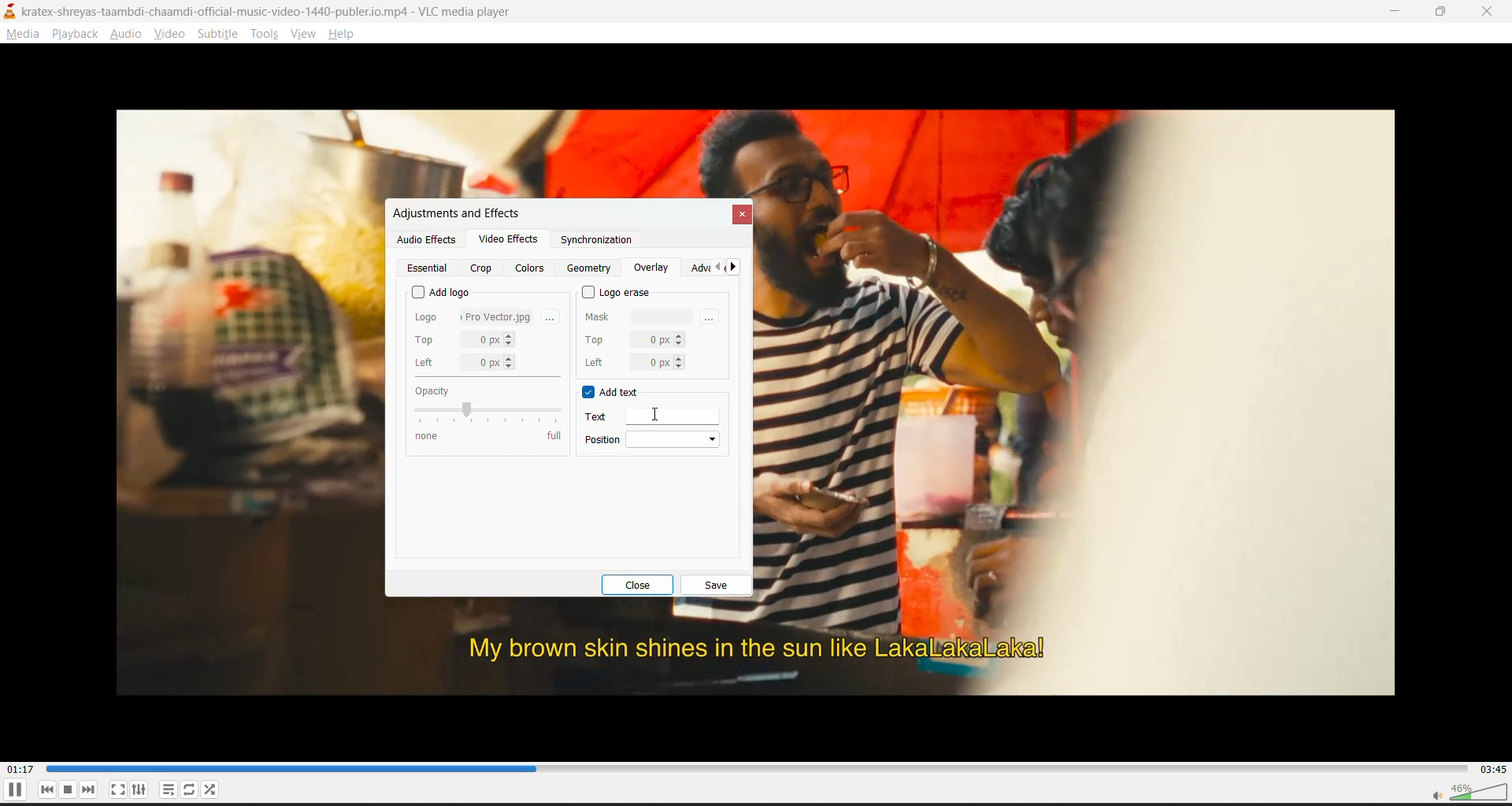 The height and width of the screenshot is (806, 1512). I want to click on subtitle, so click(220, 35).